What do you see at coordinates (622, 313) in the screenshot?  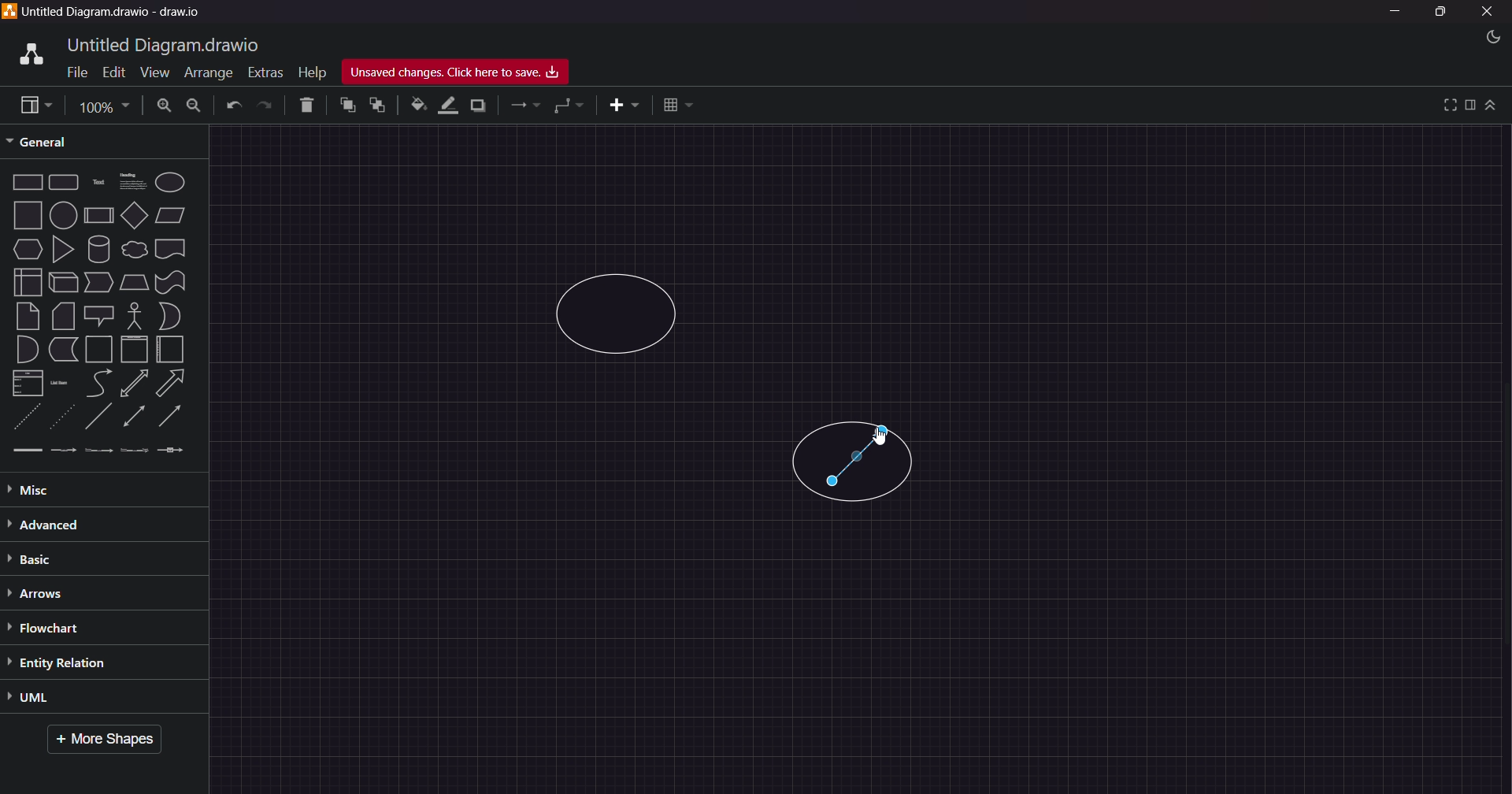 I see `Circle 1` at bounding box center [622, 313].